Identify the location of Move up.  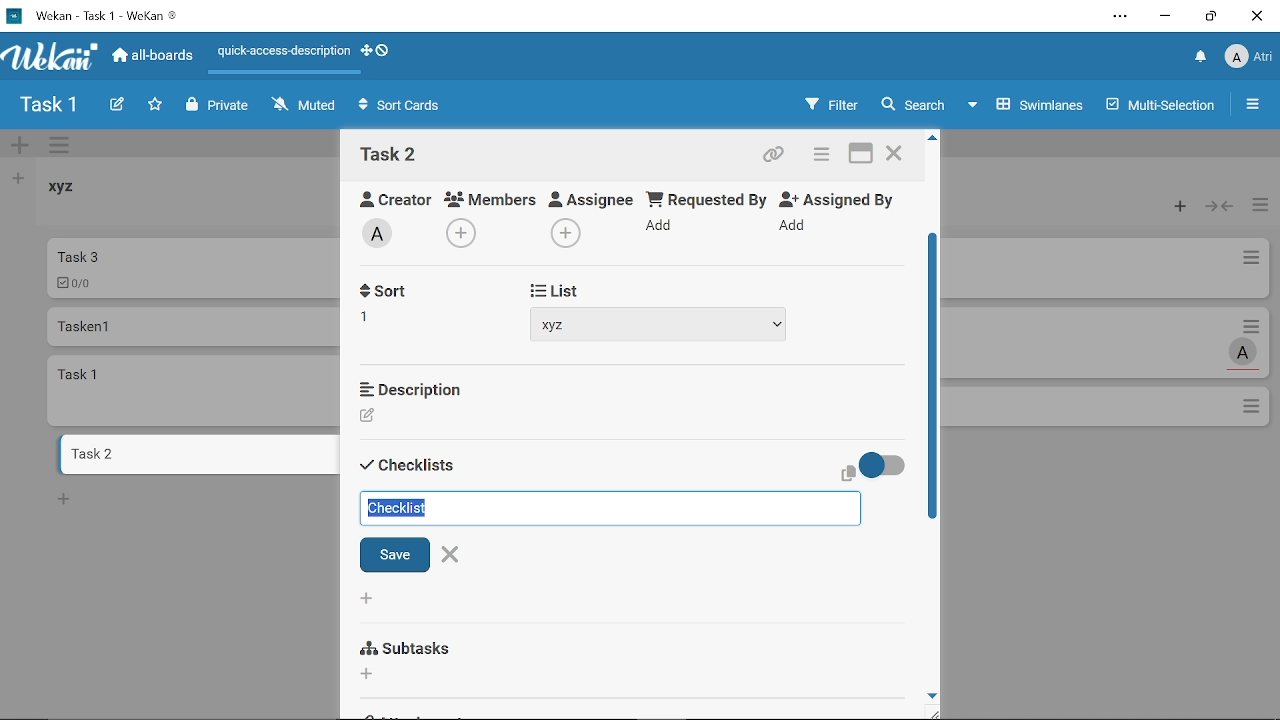
(933, 138).